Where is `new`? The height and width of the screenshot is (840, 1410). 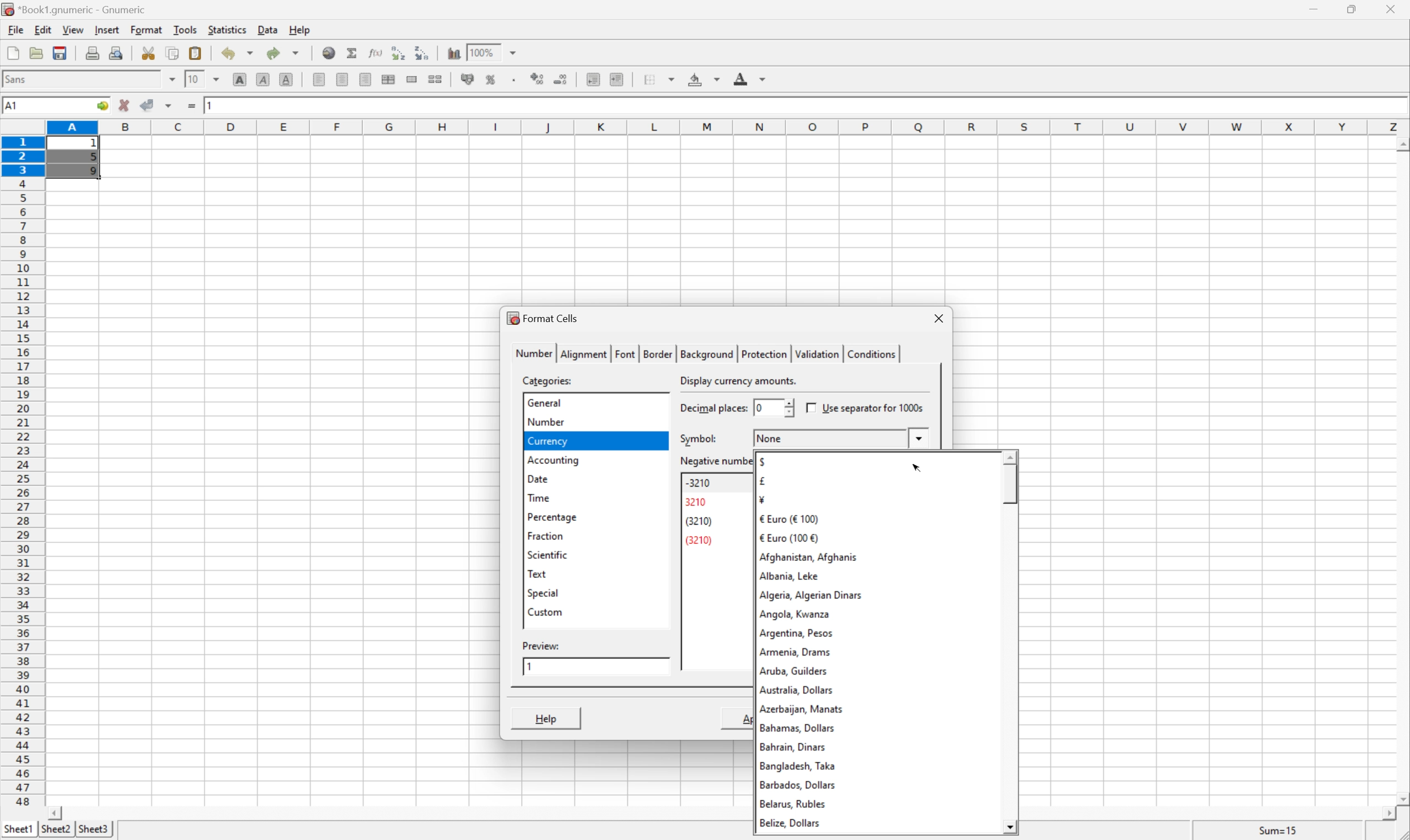
new is located at coordinates (14, 50).